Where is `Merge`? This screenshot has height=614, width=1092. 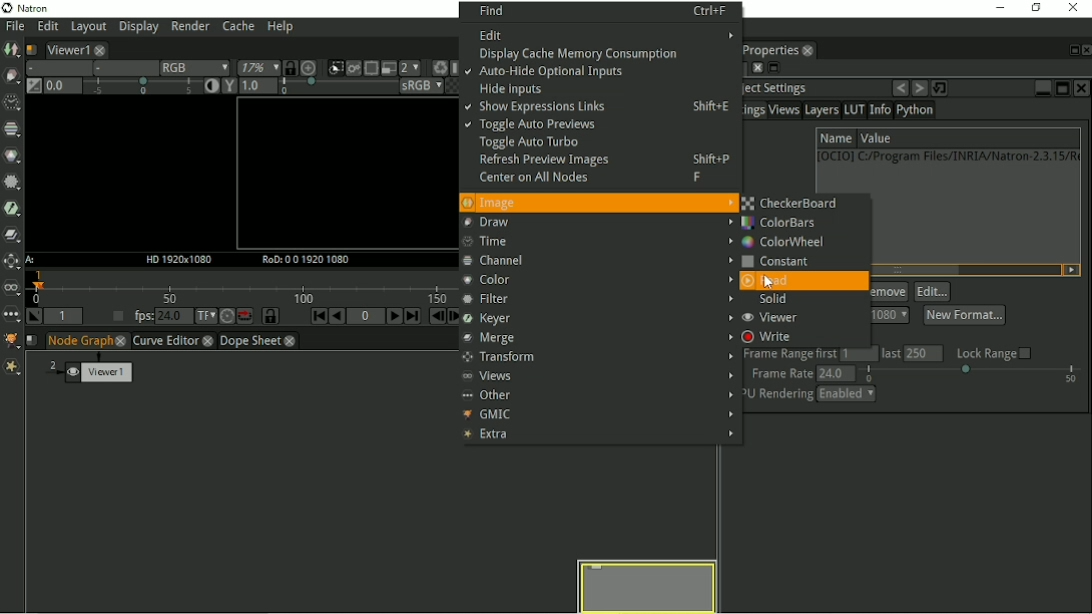
Merge is located at coordinates (594, 339).